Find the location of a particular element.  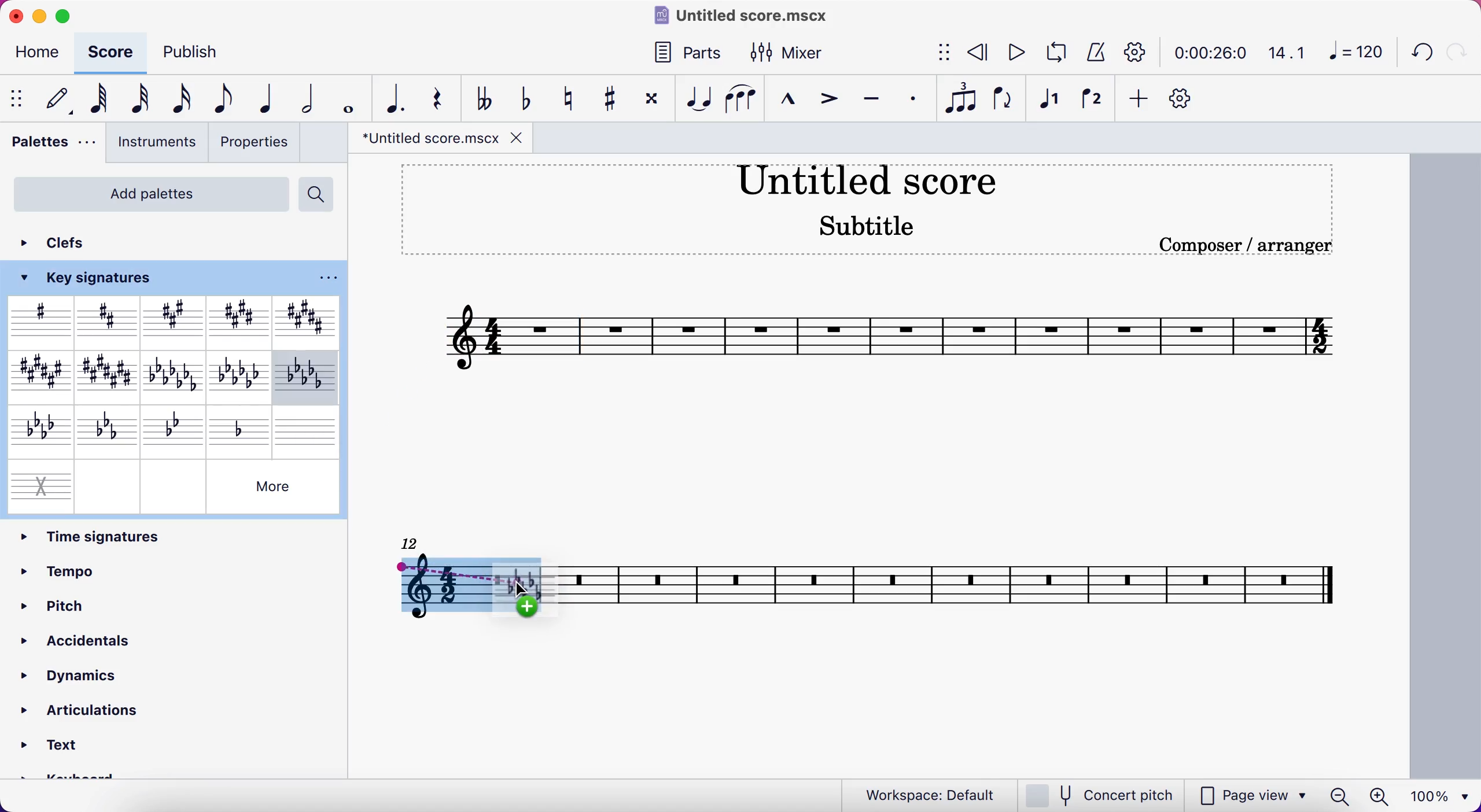

A major is located at coordinates (174, 321).